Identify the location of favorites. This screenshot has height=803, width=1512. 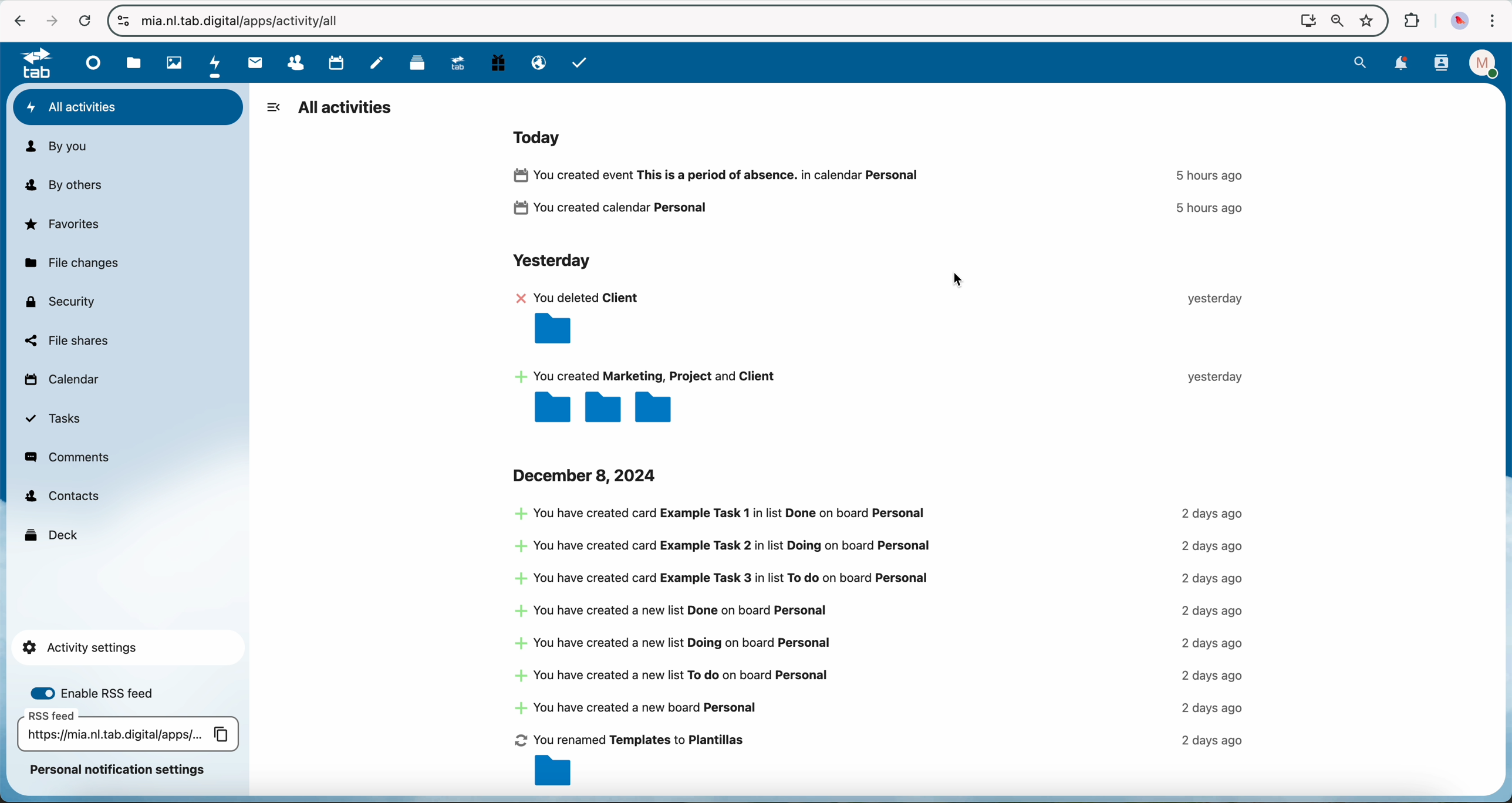
(1369, 21).